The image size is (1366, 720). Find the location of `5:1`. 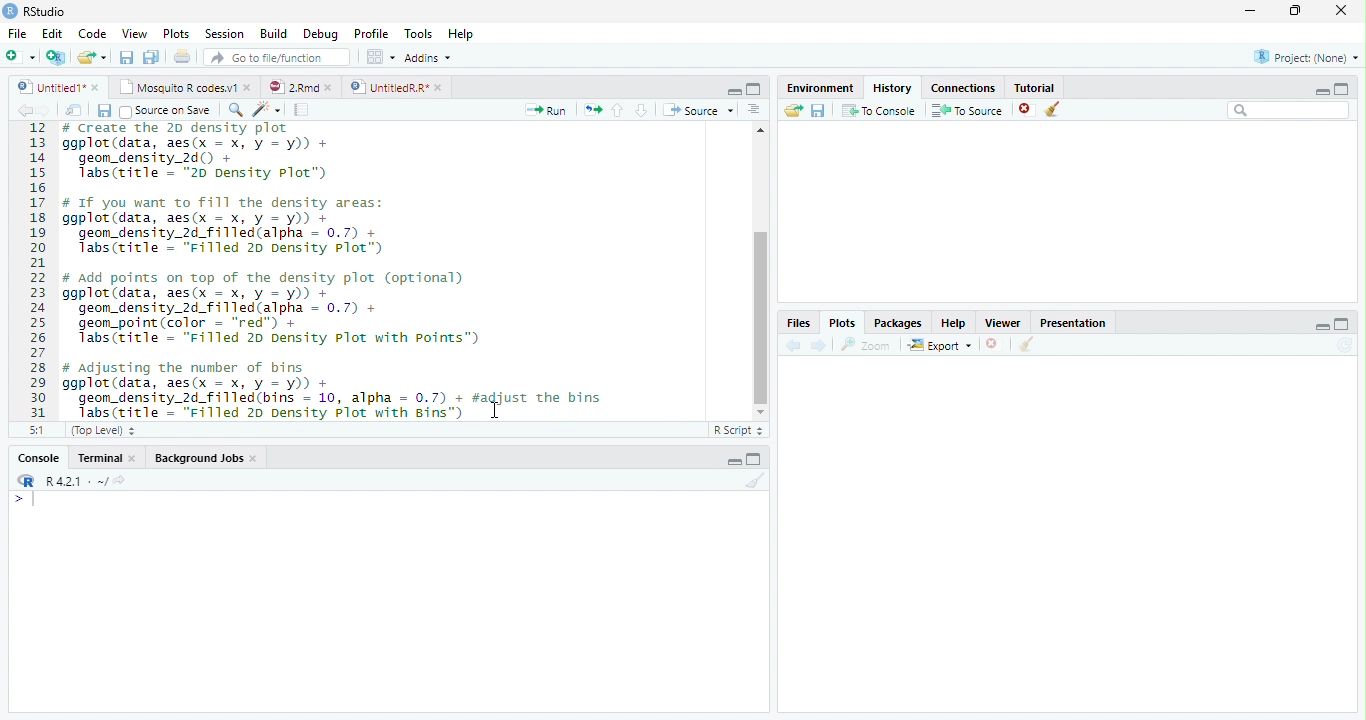

5:1 is located at coordinates (33, 430).